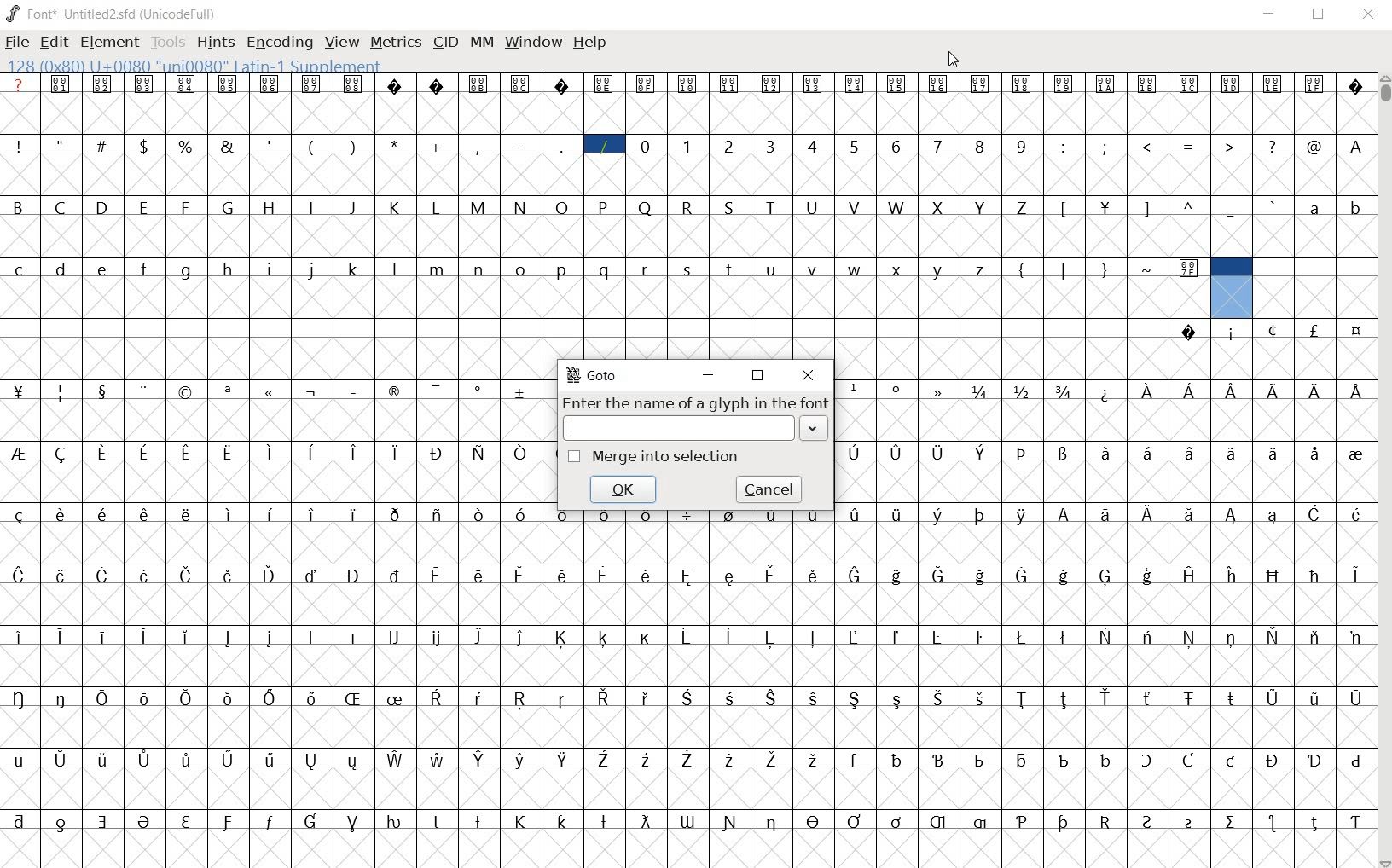 The image size is (1392, 868). What do you see at coordinates (983, 391) in the screenshot?
I see `Symbol` at bounding box center [983, 391].